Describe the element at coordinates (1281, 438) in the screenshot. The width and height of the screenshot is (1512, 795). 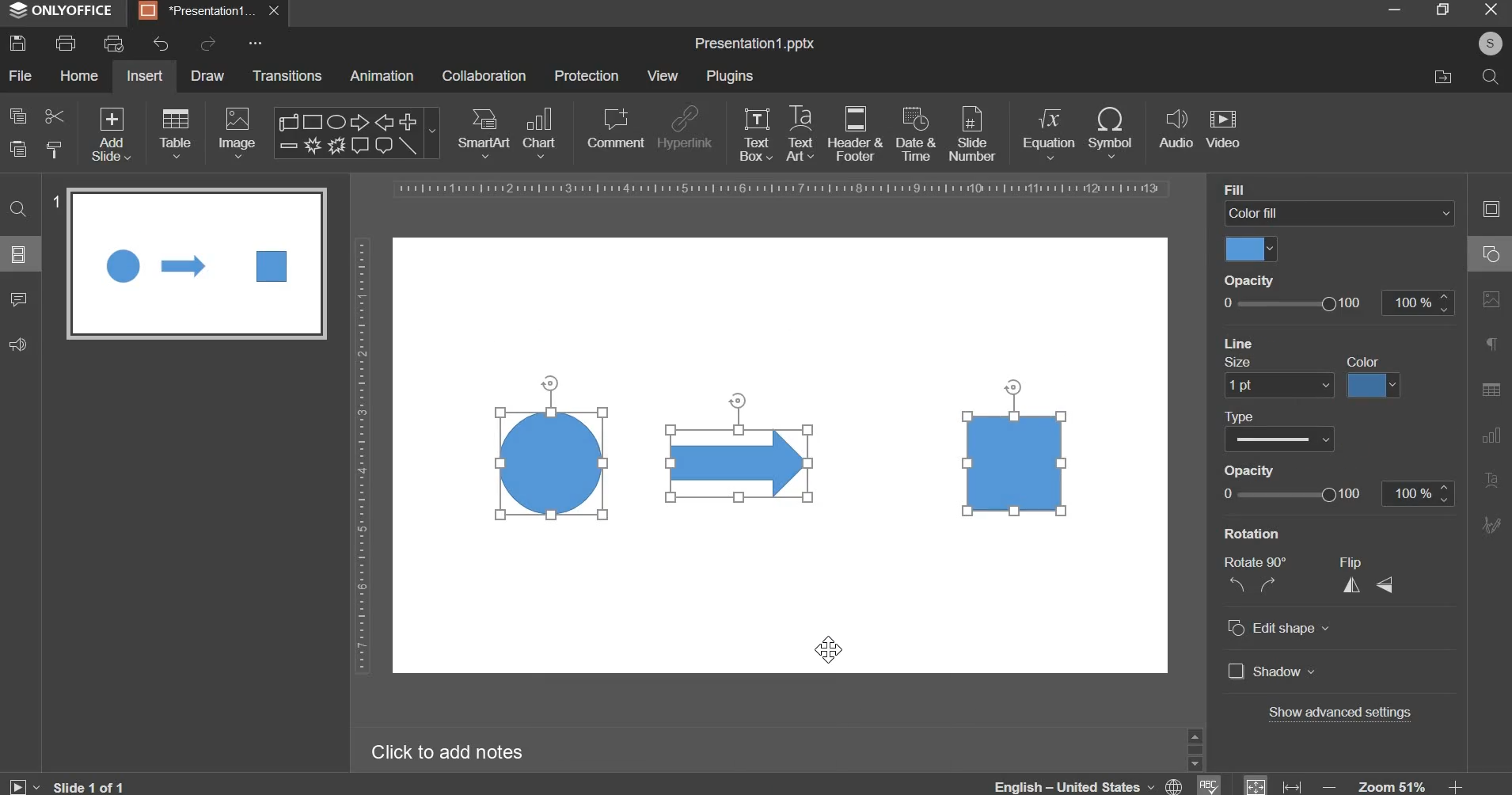
I see `line type` at that location.